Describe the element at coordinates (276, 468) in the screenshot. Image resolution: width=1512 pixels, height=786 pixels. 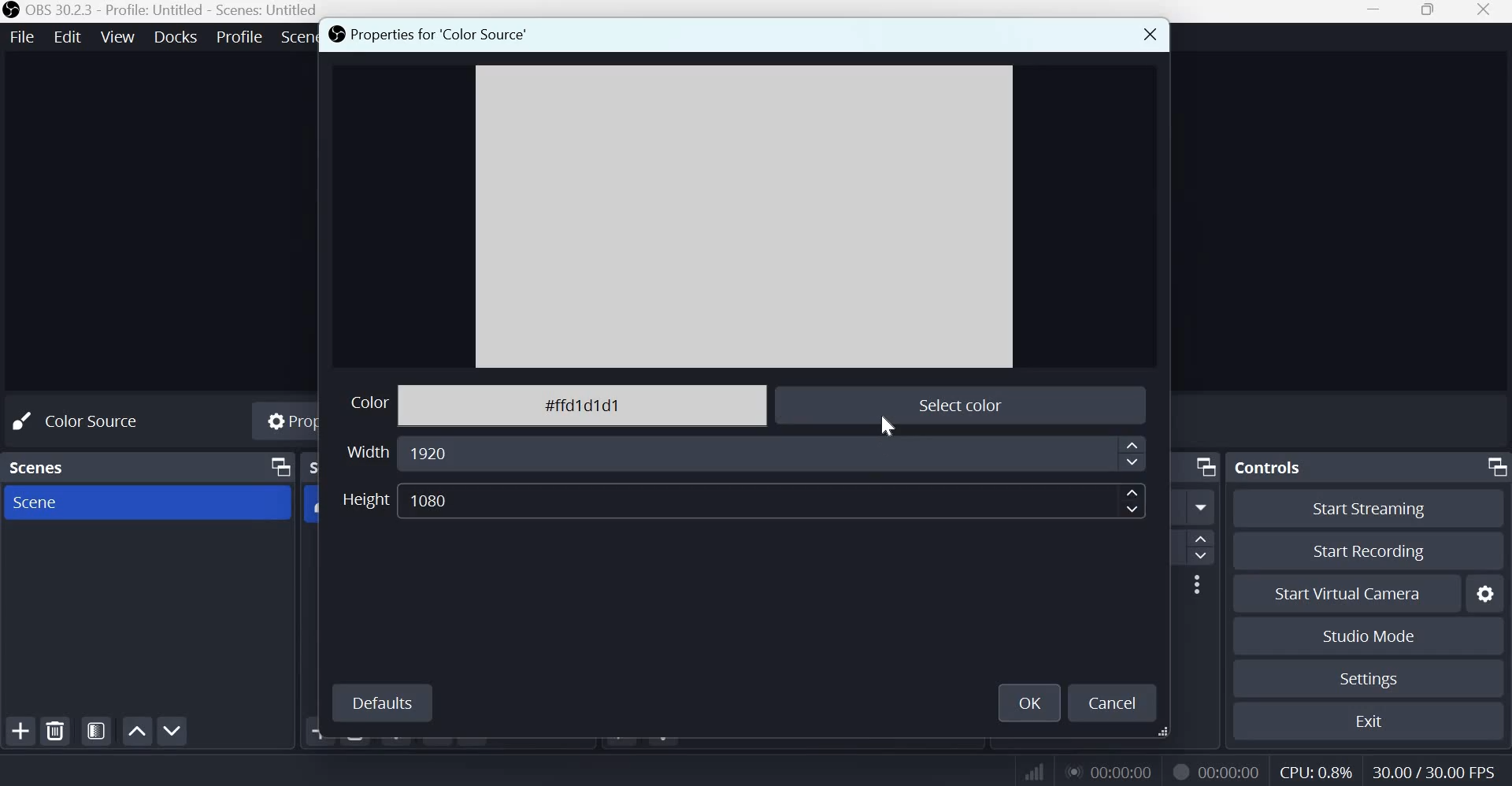
I see `Dock Options icon` at that location.